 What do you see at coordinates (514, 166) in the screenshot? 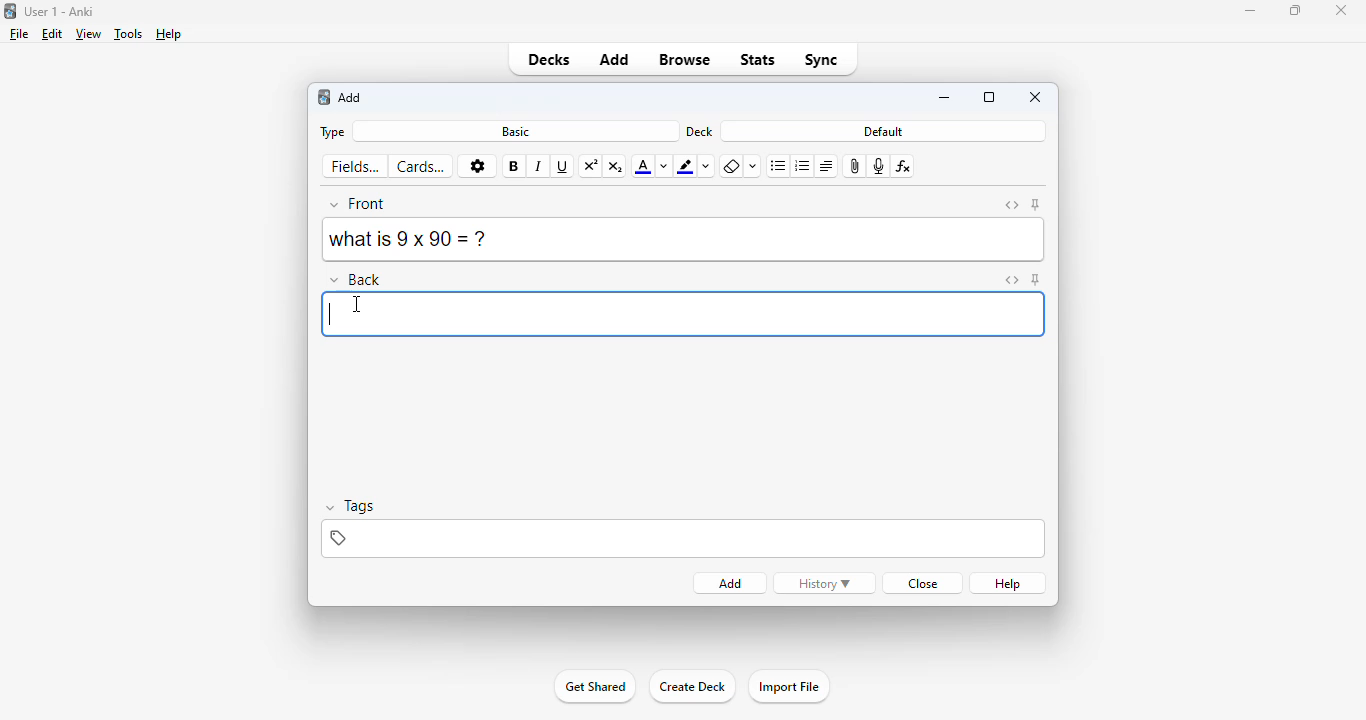
I see `bold` at bounding box center [514, 166].